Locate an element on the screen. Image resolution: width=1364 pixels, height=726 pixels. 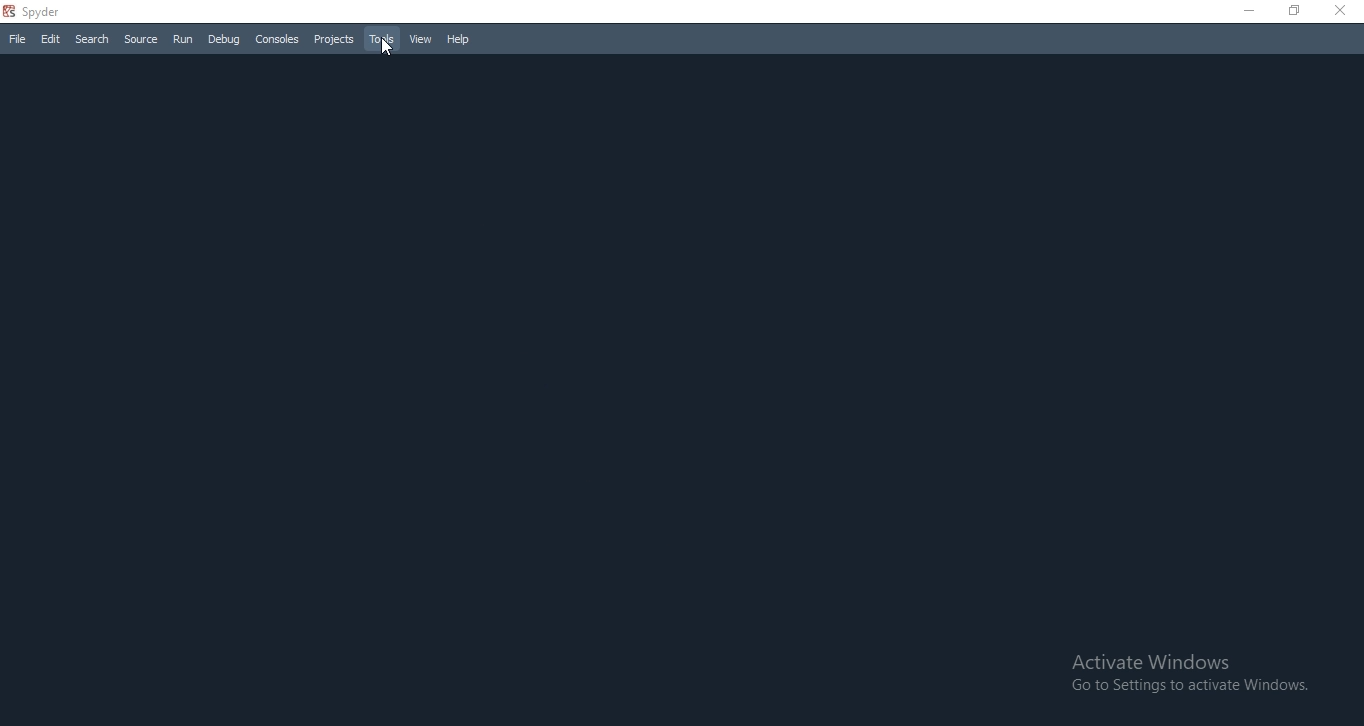
Source is located at coordinates (142, 38).